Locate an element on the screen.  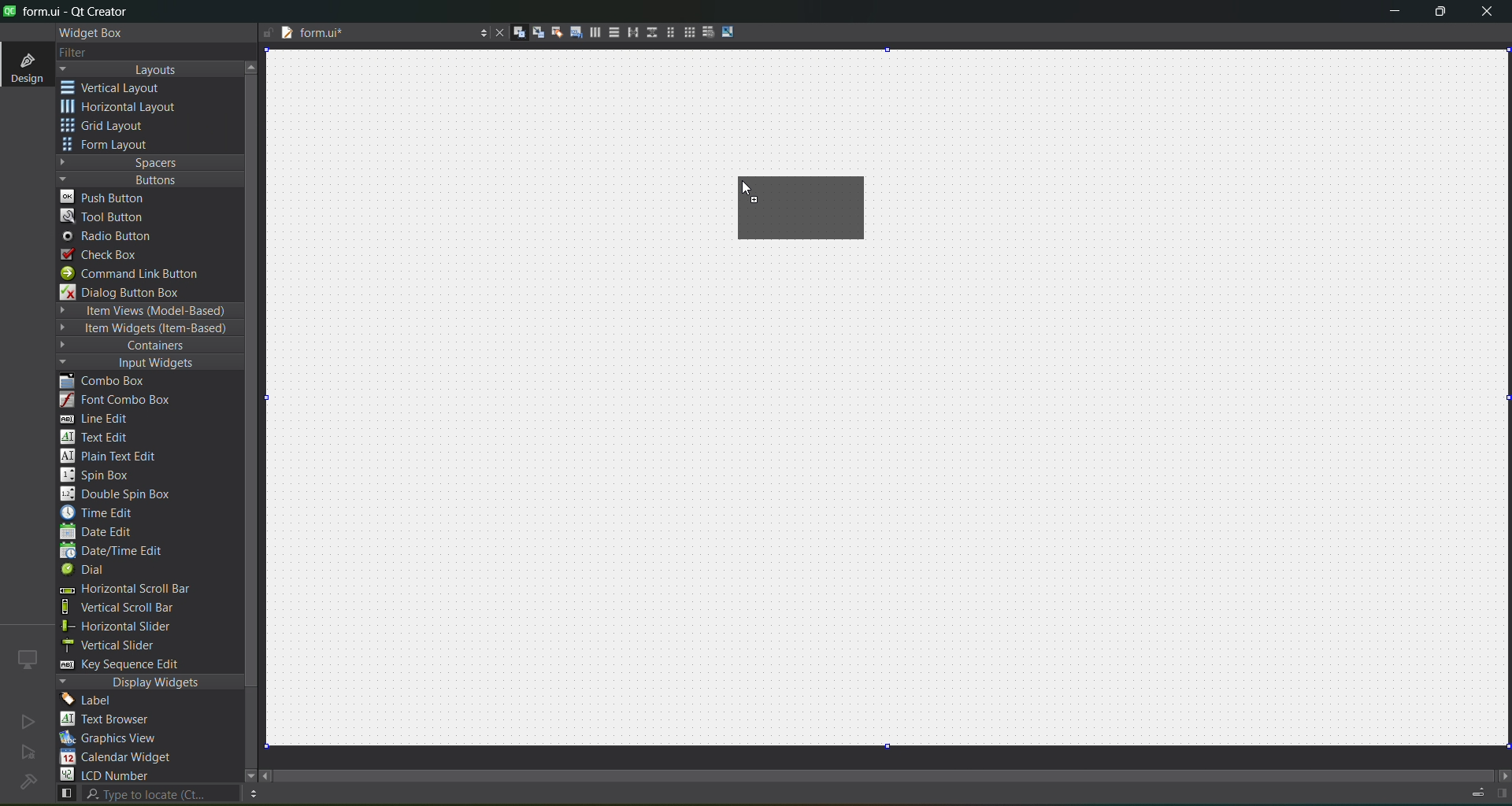
no active project is located at coordinates (28, 753).